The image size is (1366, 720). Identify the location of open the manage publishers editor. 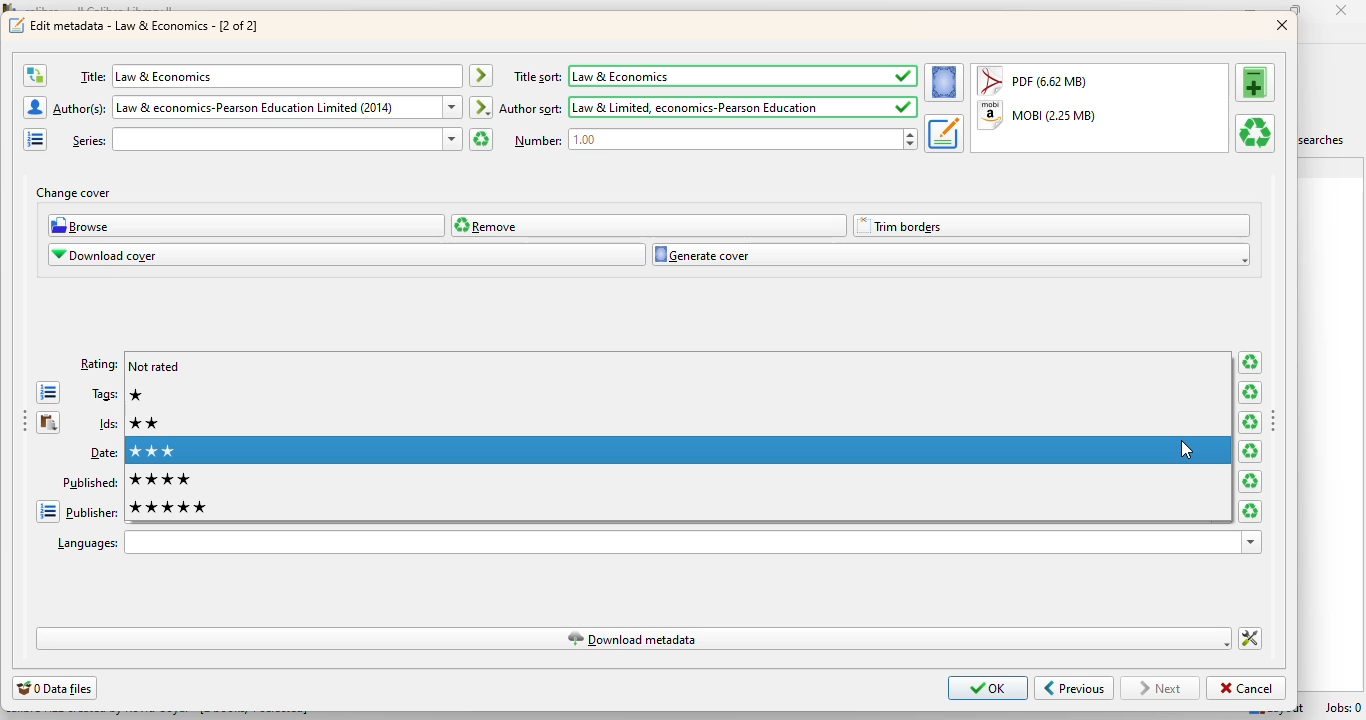
(46, 511).